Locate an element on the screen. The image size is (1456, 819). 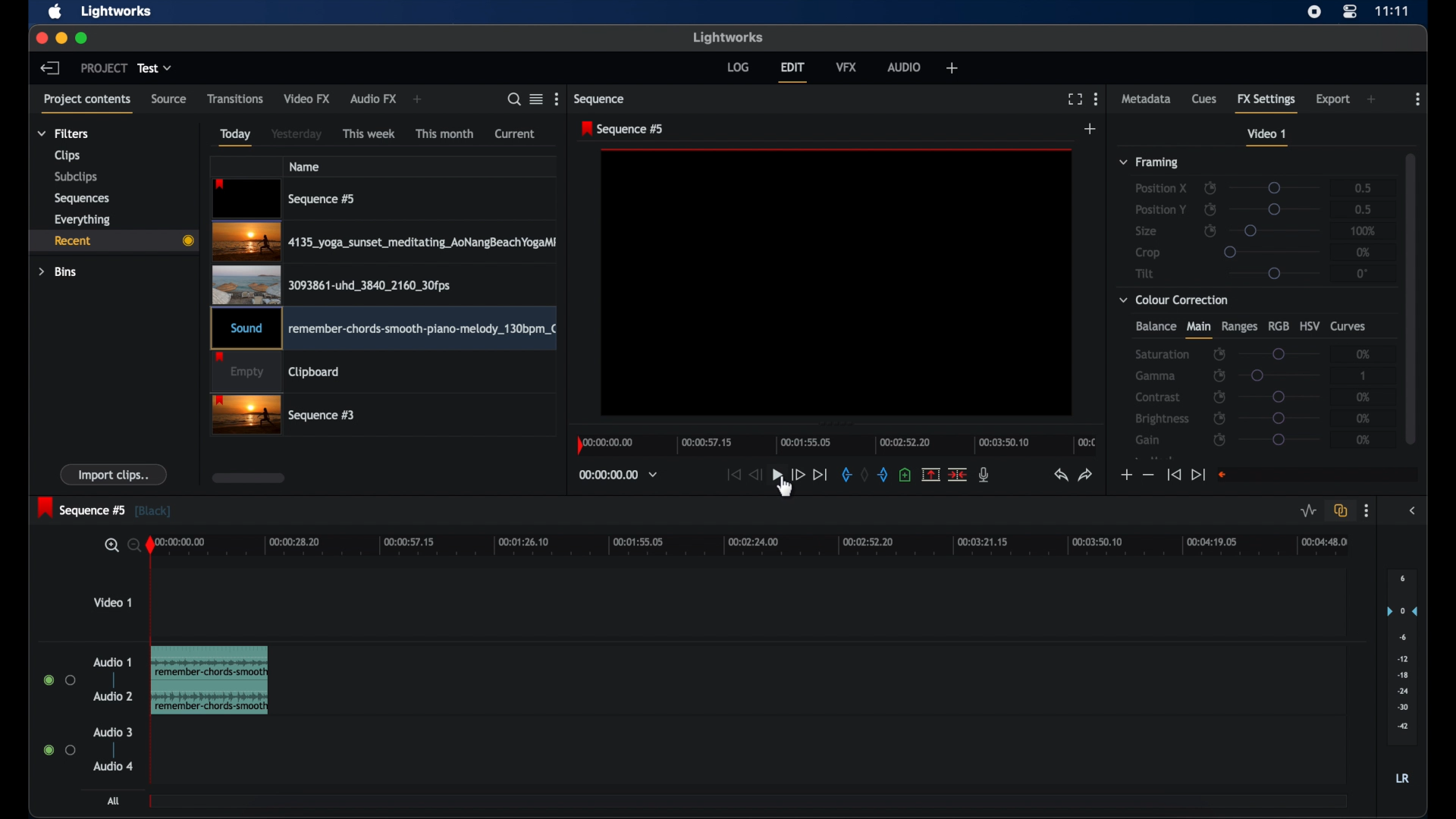
sequence 3 is located at coordinates (284, 416).